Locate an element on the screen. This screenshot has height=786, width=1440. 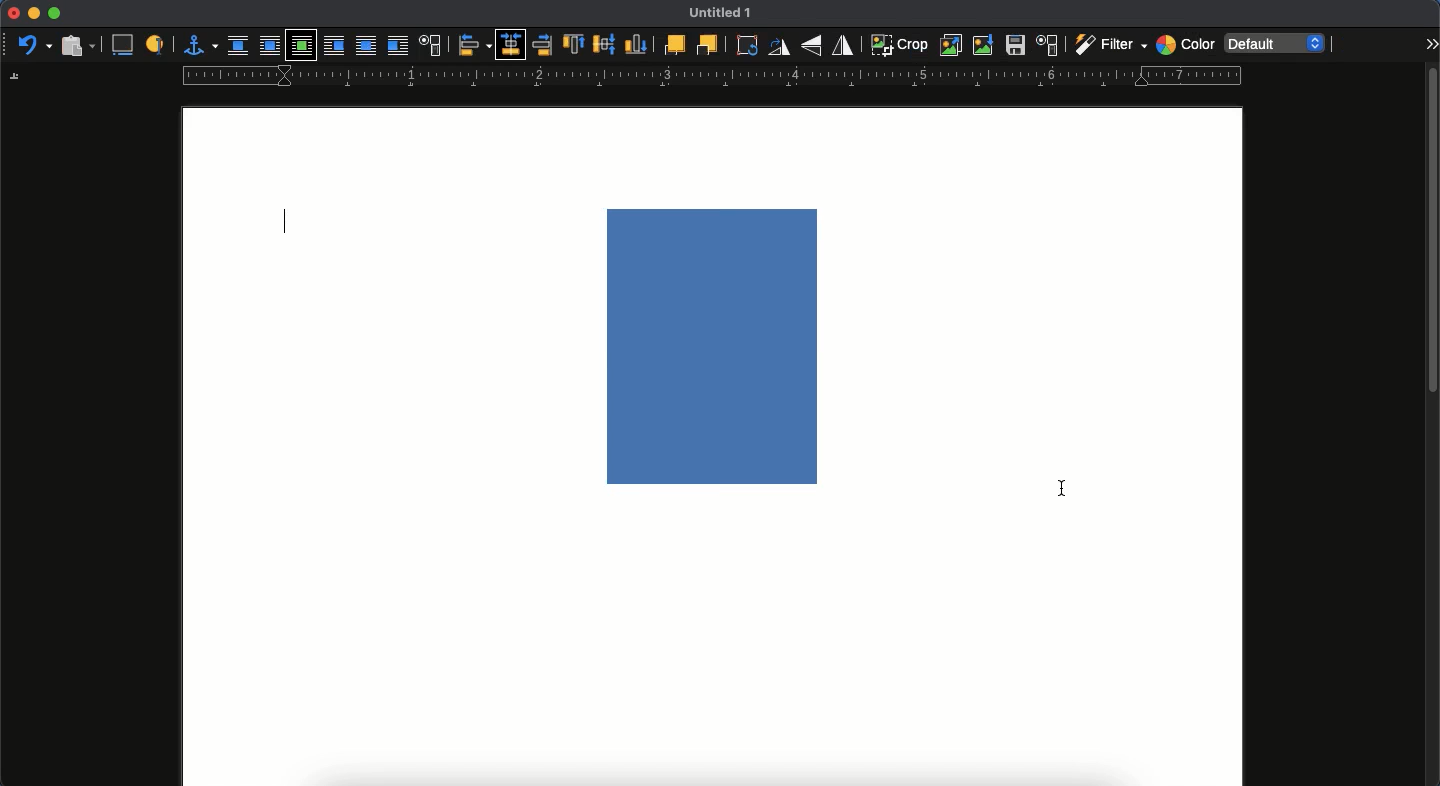
bottom to anchor is located at coordinates (636, 44).